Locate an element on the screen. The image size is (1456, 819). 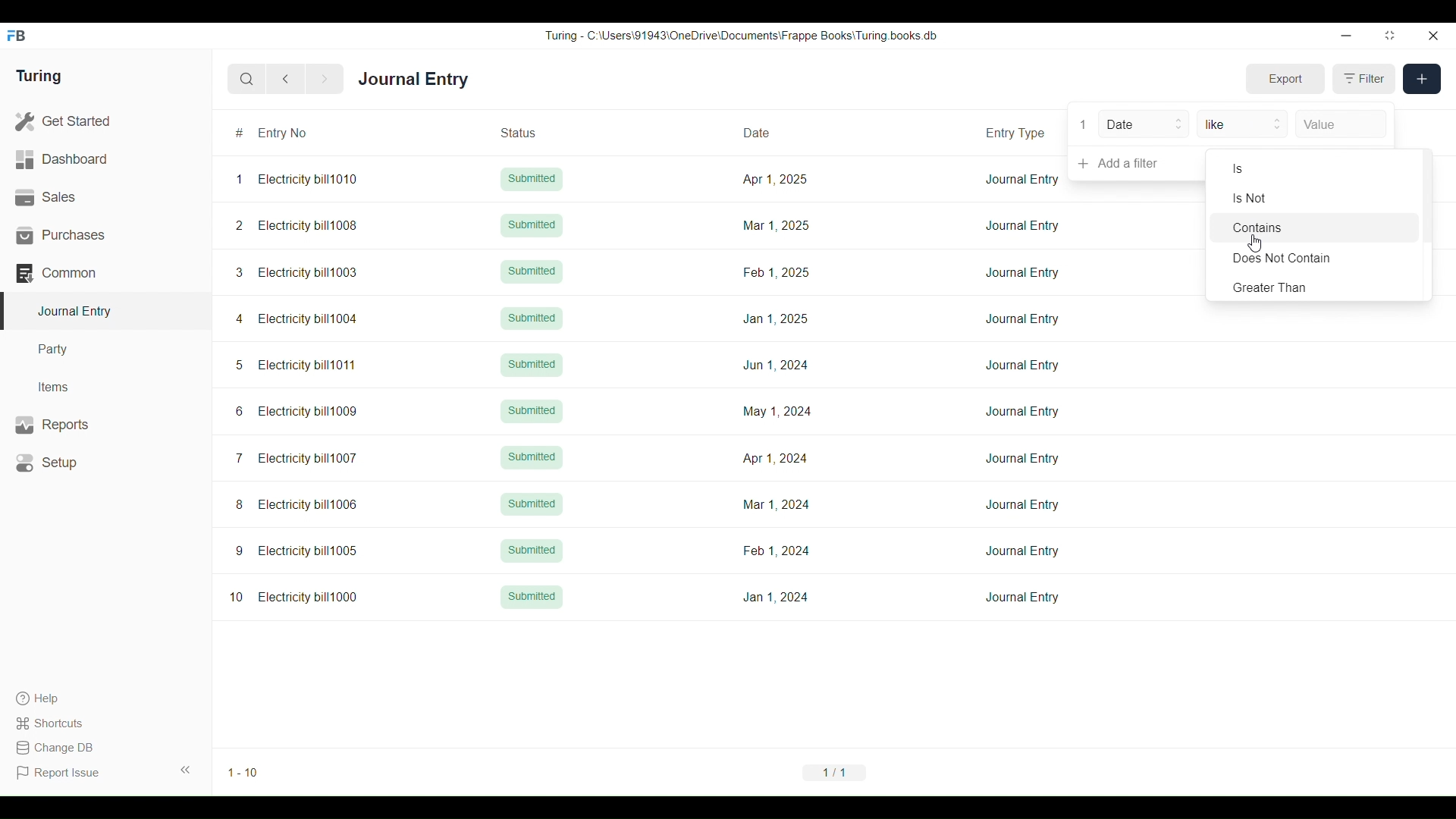
Apr 1, 2025 is located at coordinates (774, 178).